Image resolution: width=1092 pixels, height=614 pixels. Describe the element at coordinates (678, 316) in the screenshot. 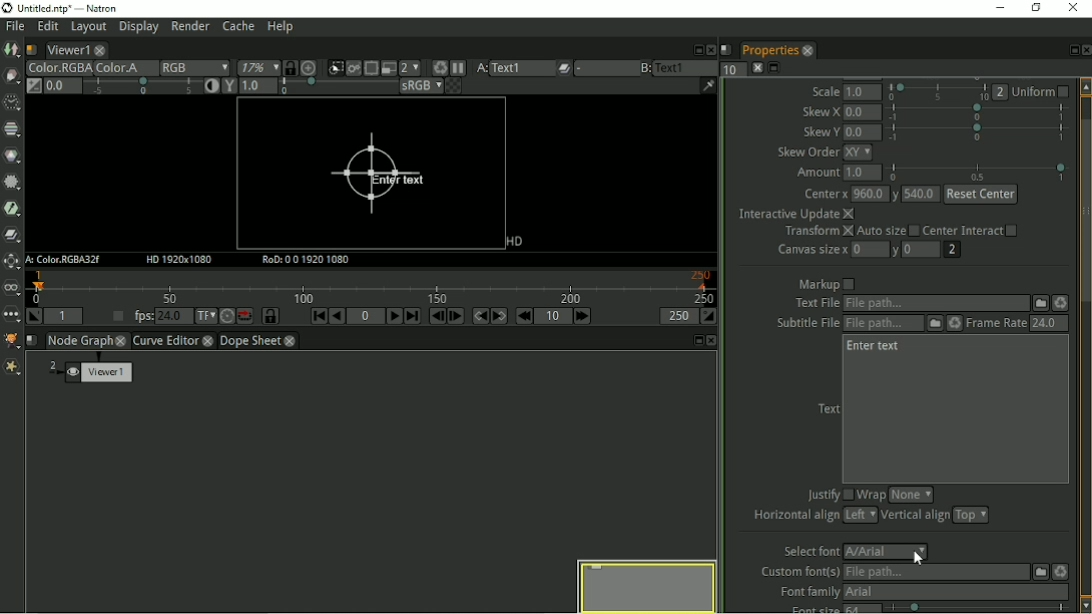

I see `The playback out point` at that location.